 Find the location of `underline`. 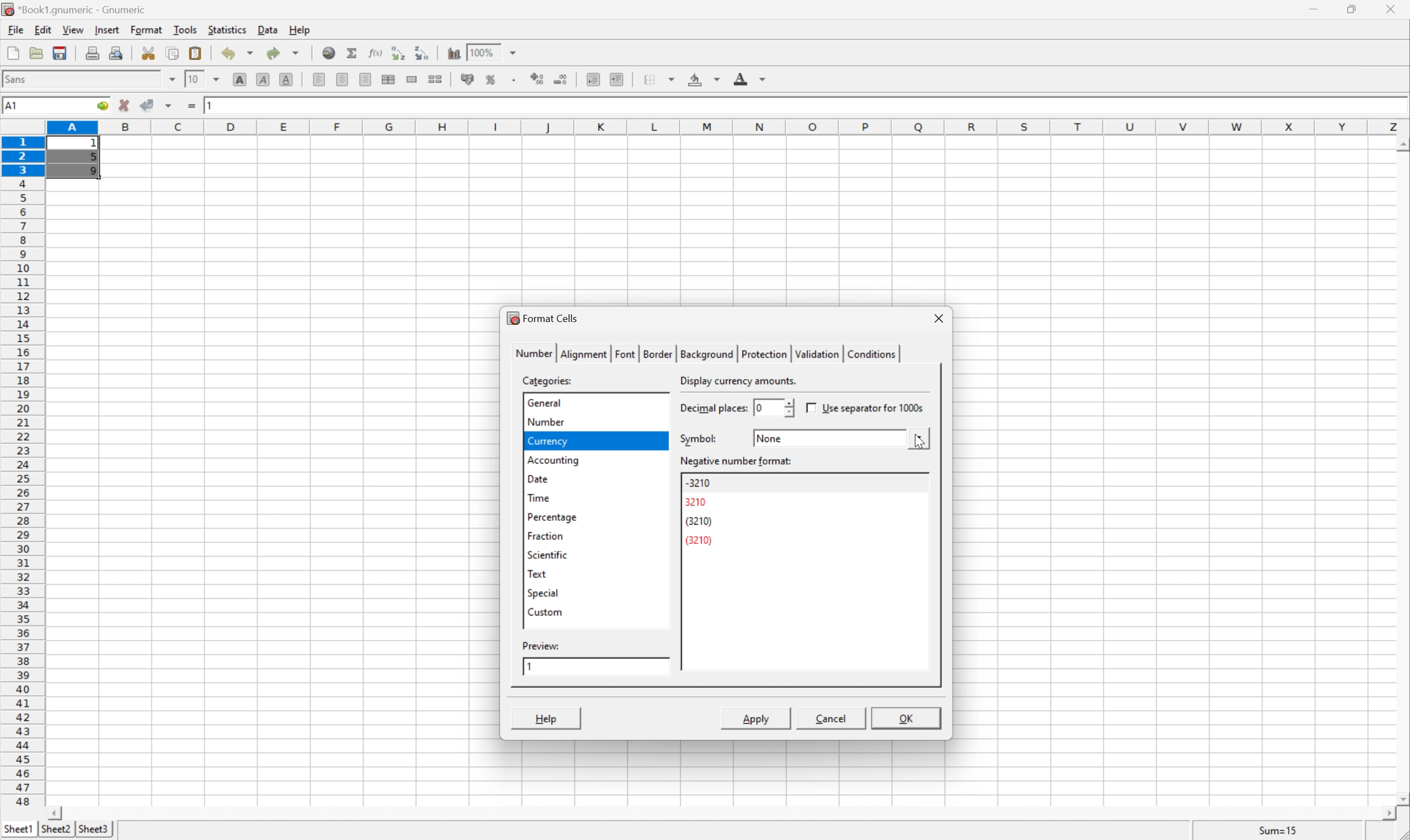

underline is located at coordinates (288, 80).